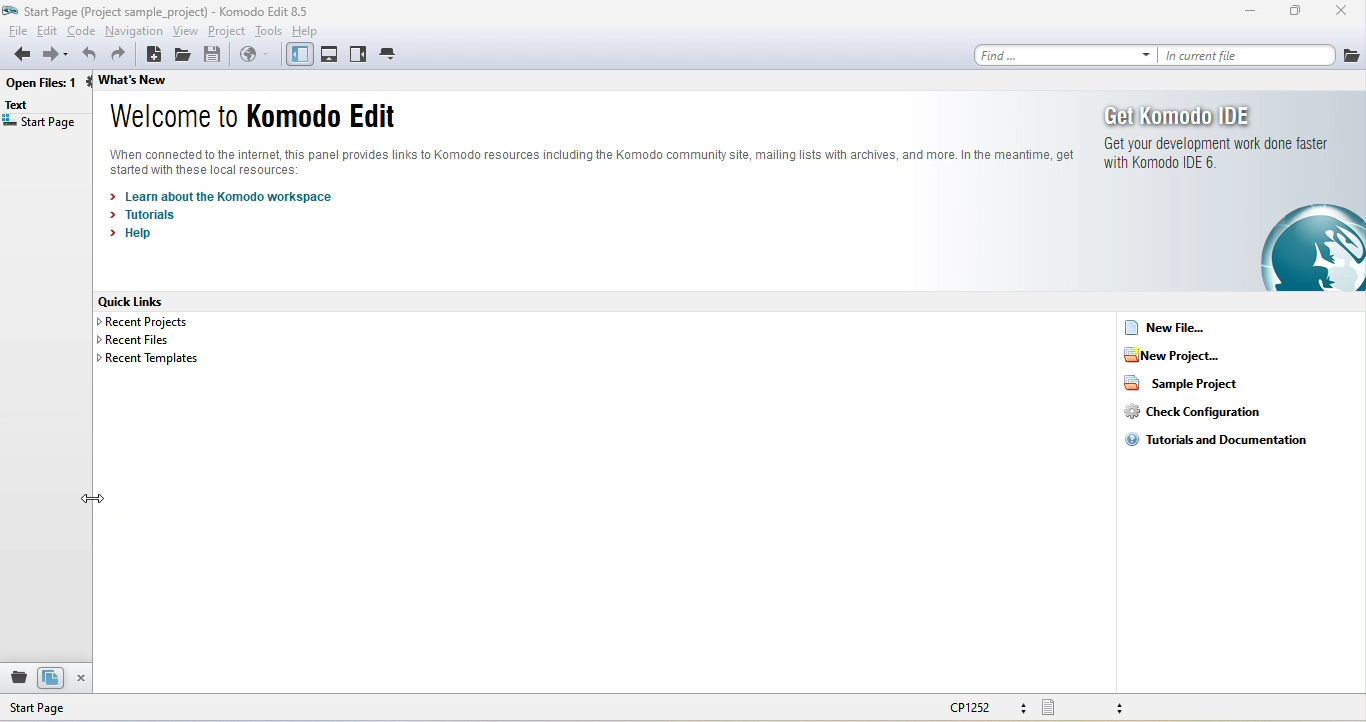 This screenshot has width=1366, height=722. Describe the element at coordinates (148, 214) in the screenshot. I see `tutorials` at that location.